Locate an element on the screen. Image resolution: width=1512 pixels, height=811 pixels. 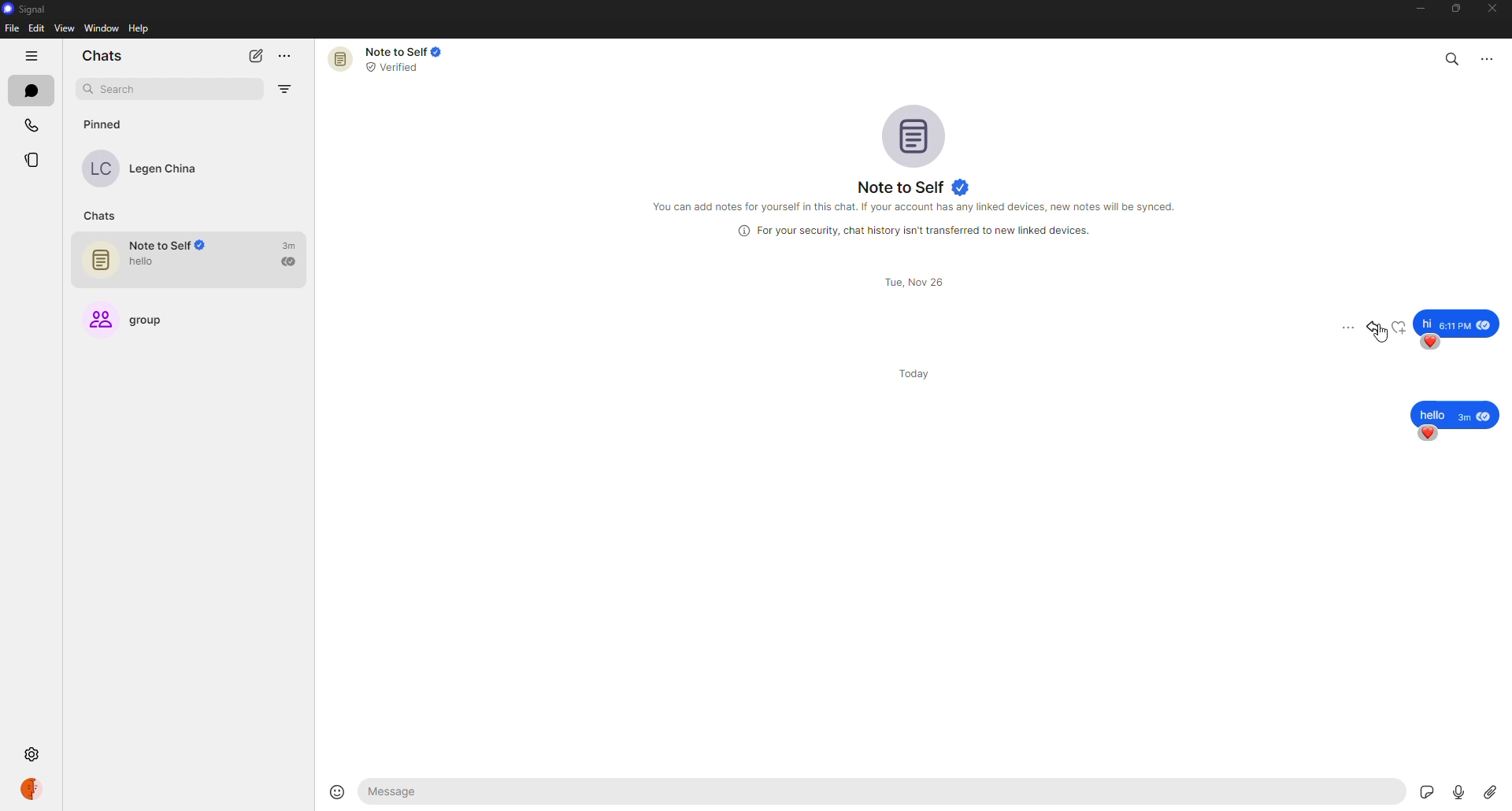
filter is located at coordinates (286, 91).